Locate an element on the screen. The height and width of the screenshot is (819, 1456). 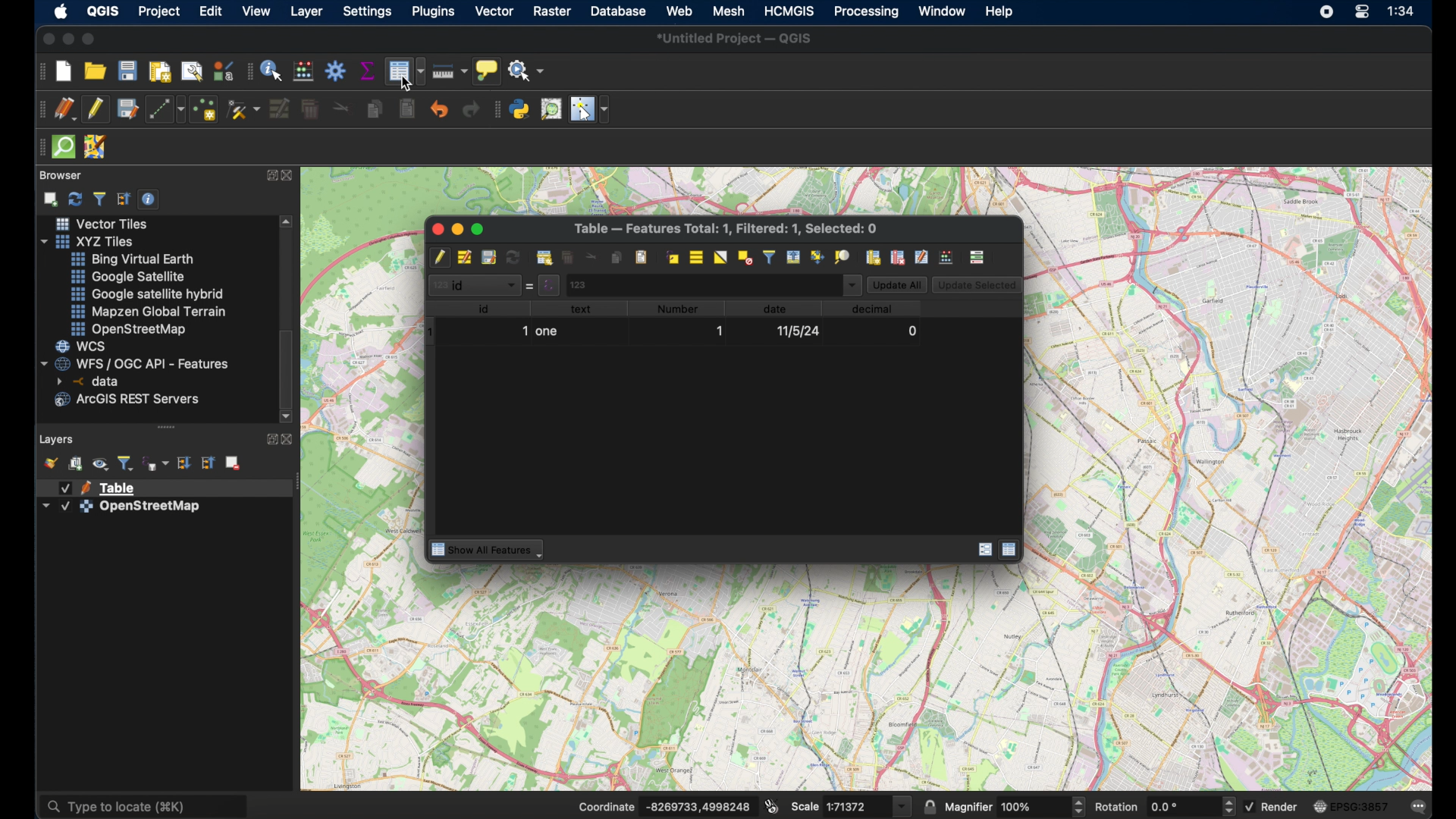
magnifier is located at coordinates (968, 805).